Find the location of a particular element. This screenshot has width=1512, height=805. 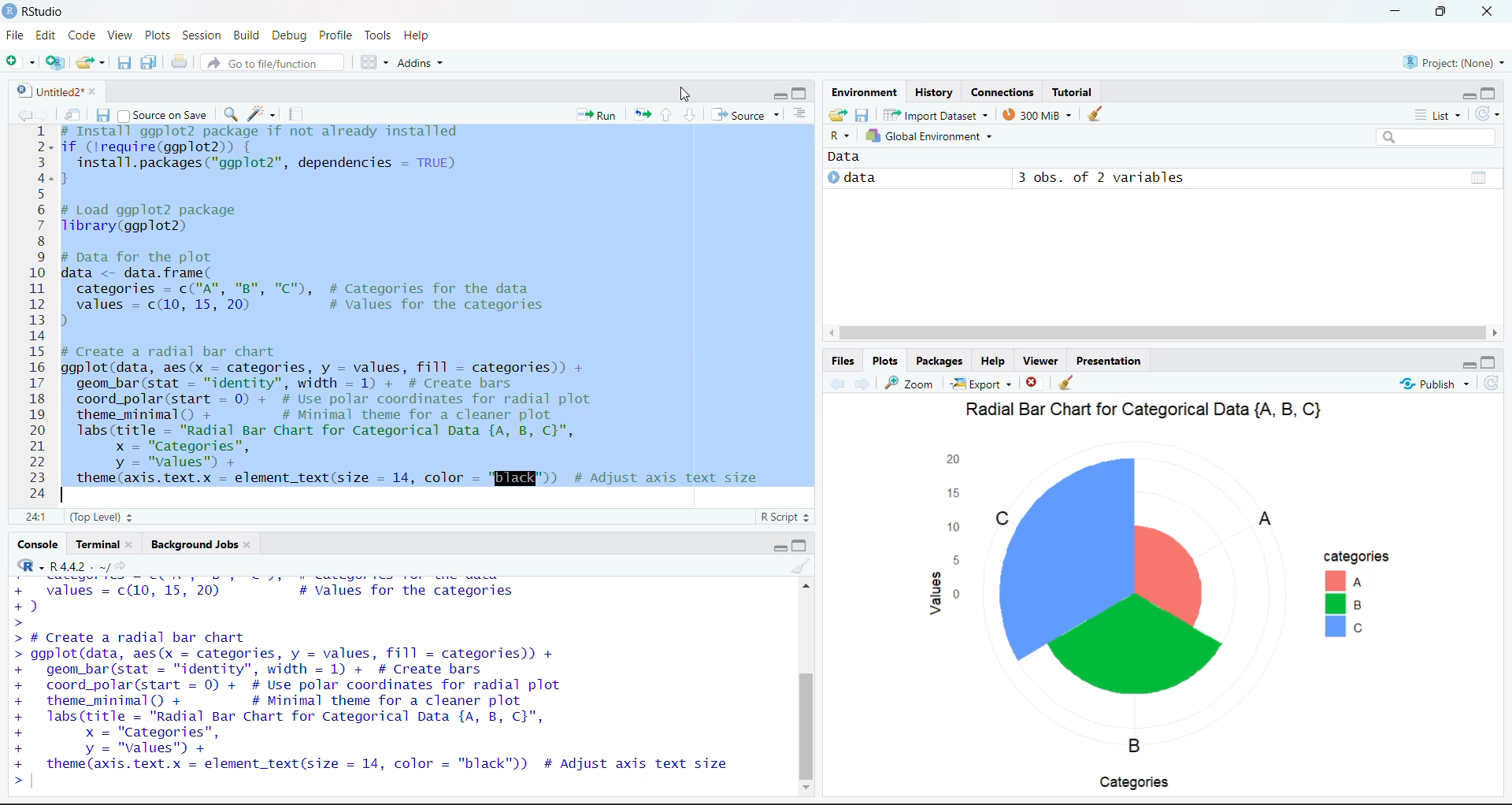

print the current file is located at coordinates (176, 62).